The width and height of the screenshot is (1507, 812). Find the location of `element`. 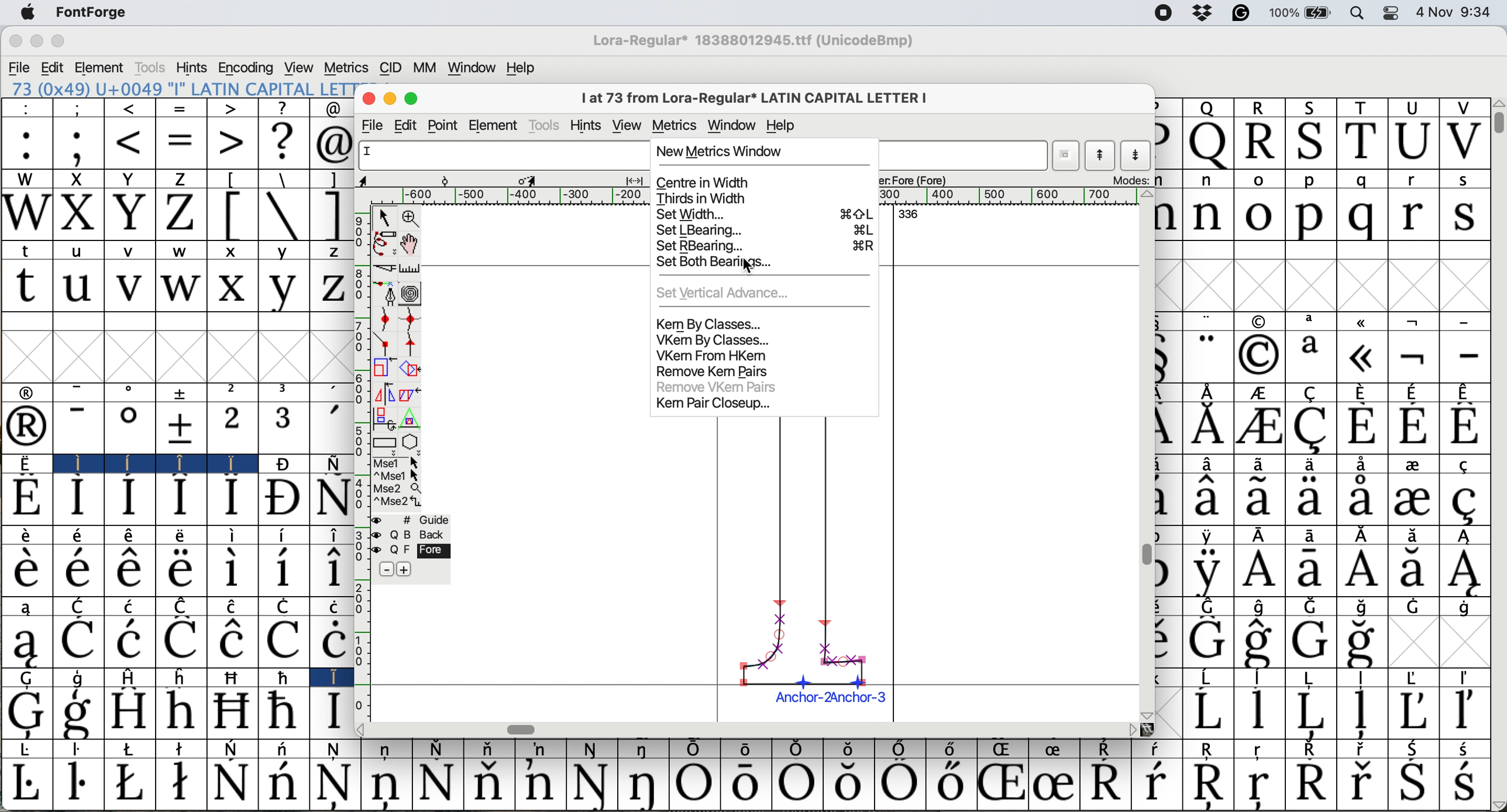

element is located at coordinates (100, 67).